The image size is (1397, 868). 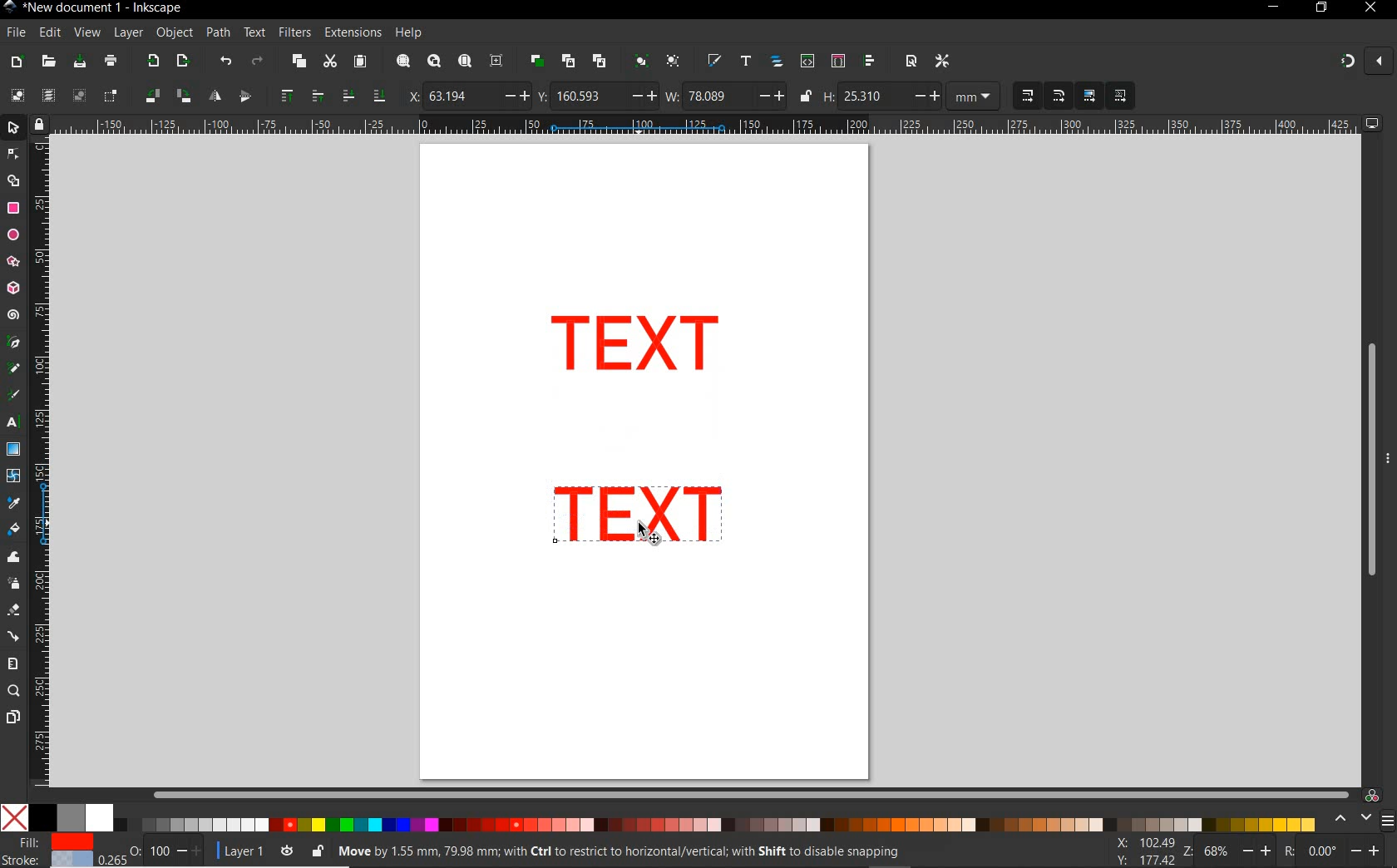 What do you see at coordinates (257, 61) in the screenshot?
I see `redo` at bounding box center [257, 61].